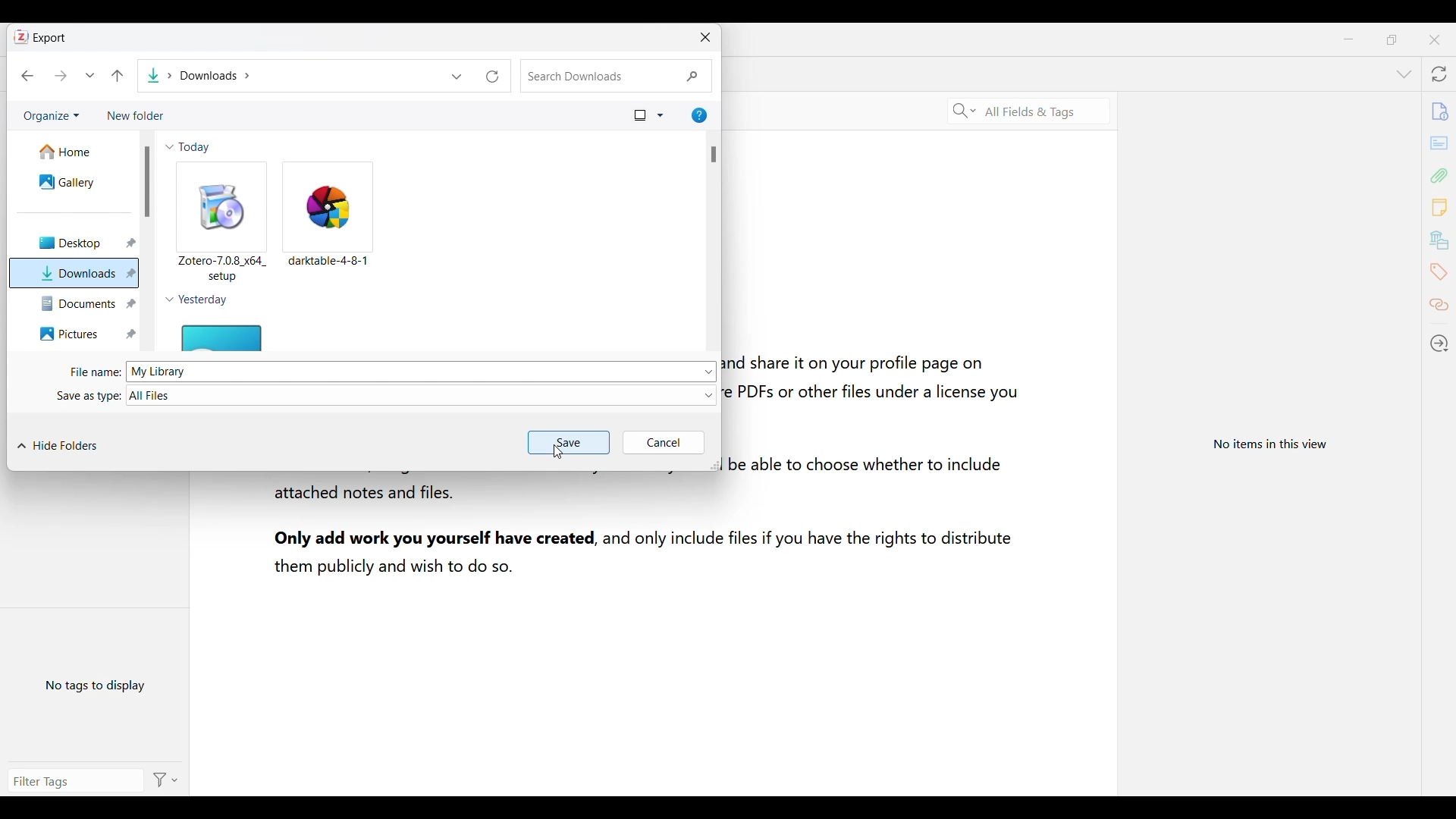  I want to click on Today, so click(185, 146).